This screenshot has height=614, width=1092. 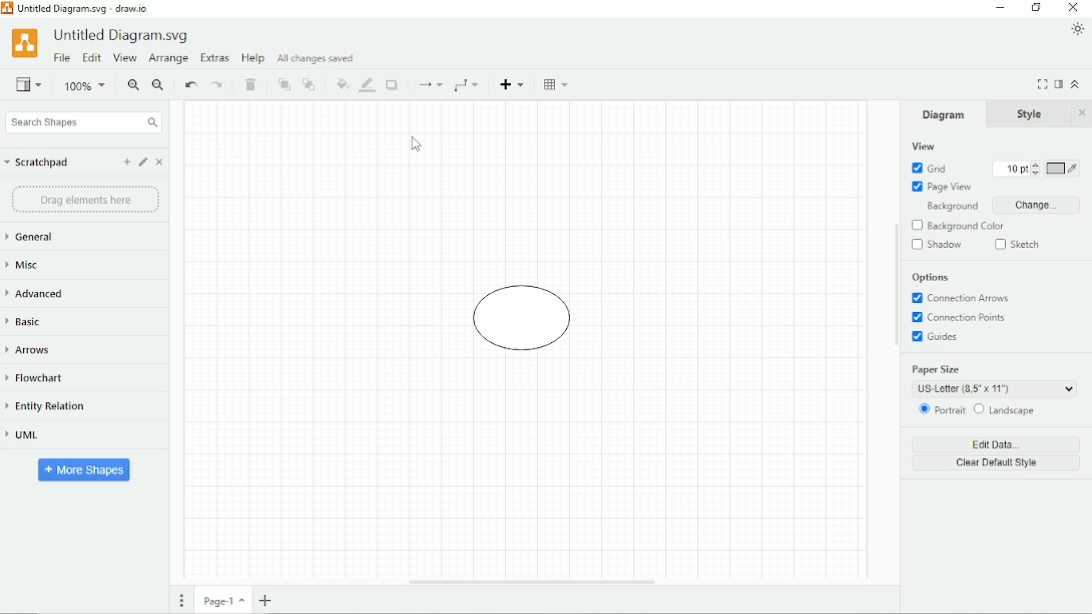 What do you see at coordinates (1041, 205) in the screenshot?
I see `Change` at bounding box center [1041, 205].